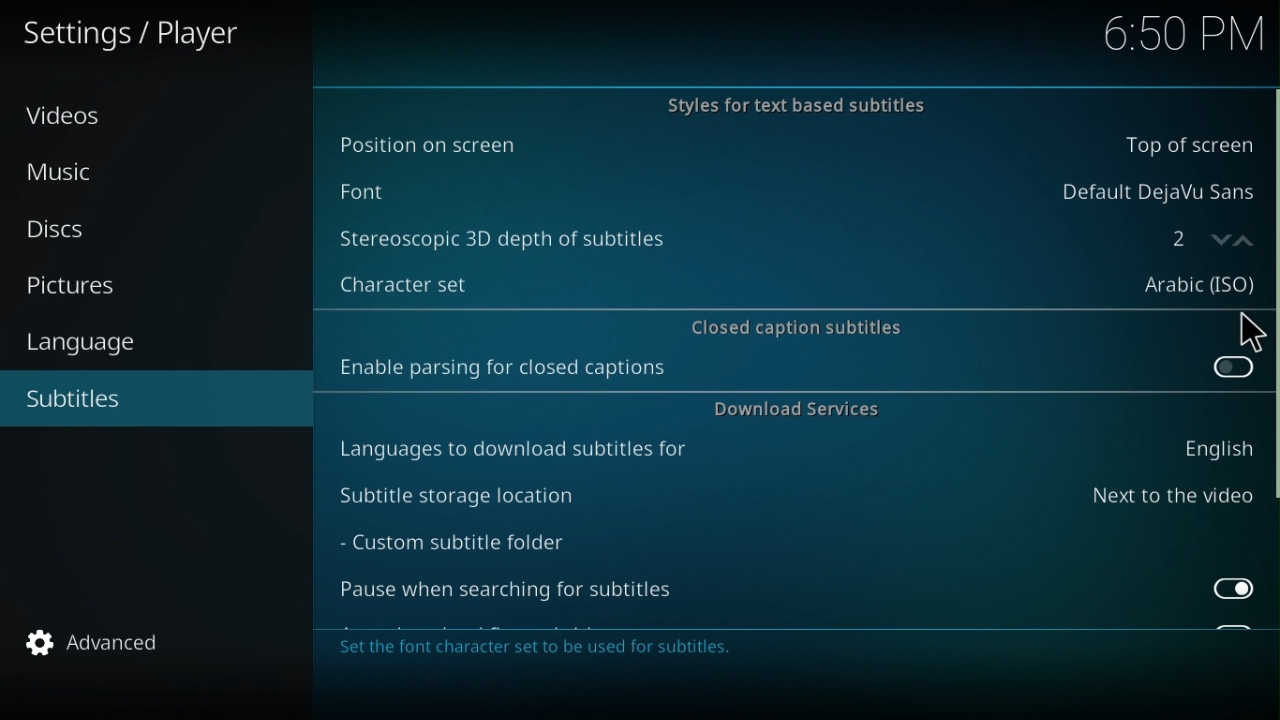  Describe the element at coordinates (1244, 333) in the screenshot. I see `Cursor` at that location.